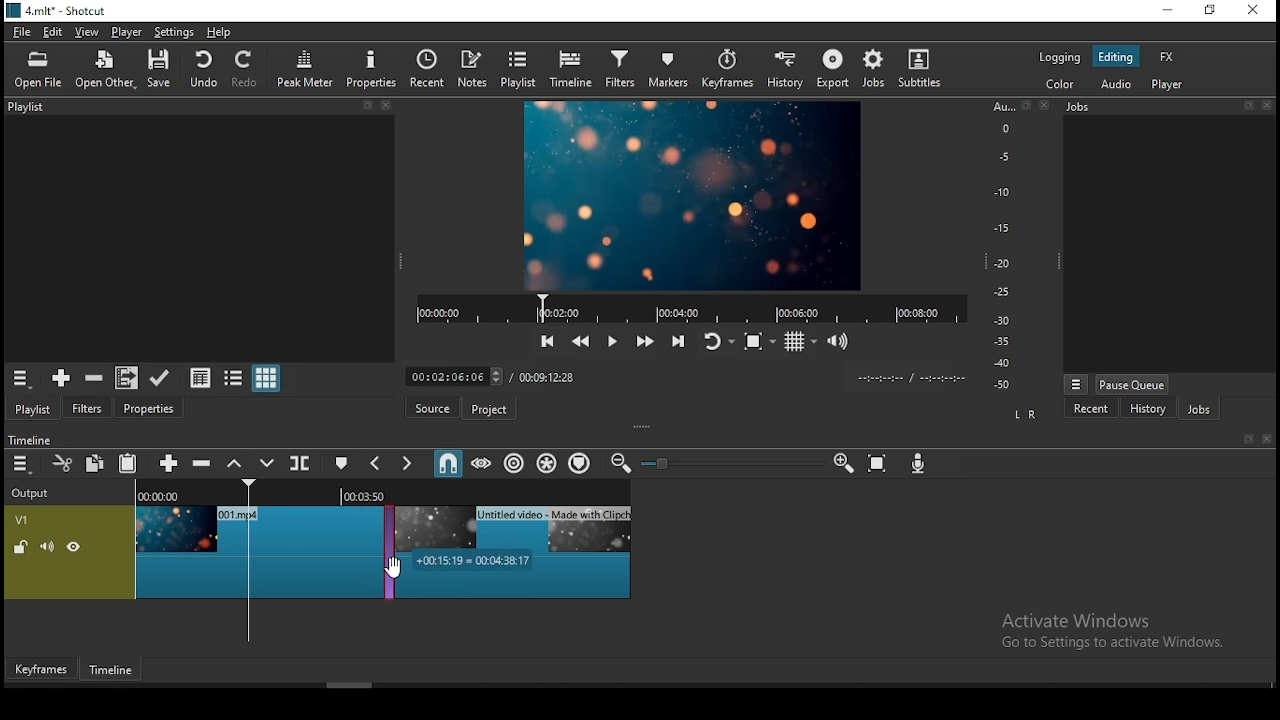 The width and height of the screenshot is (1280, 720). What do you see at coordinates (382, 552) in the screenshot?
I see `transitionJobs` at bounding box center [382, 552].